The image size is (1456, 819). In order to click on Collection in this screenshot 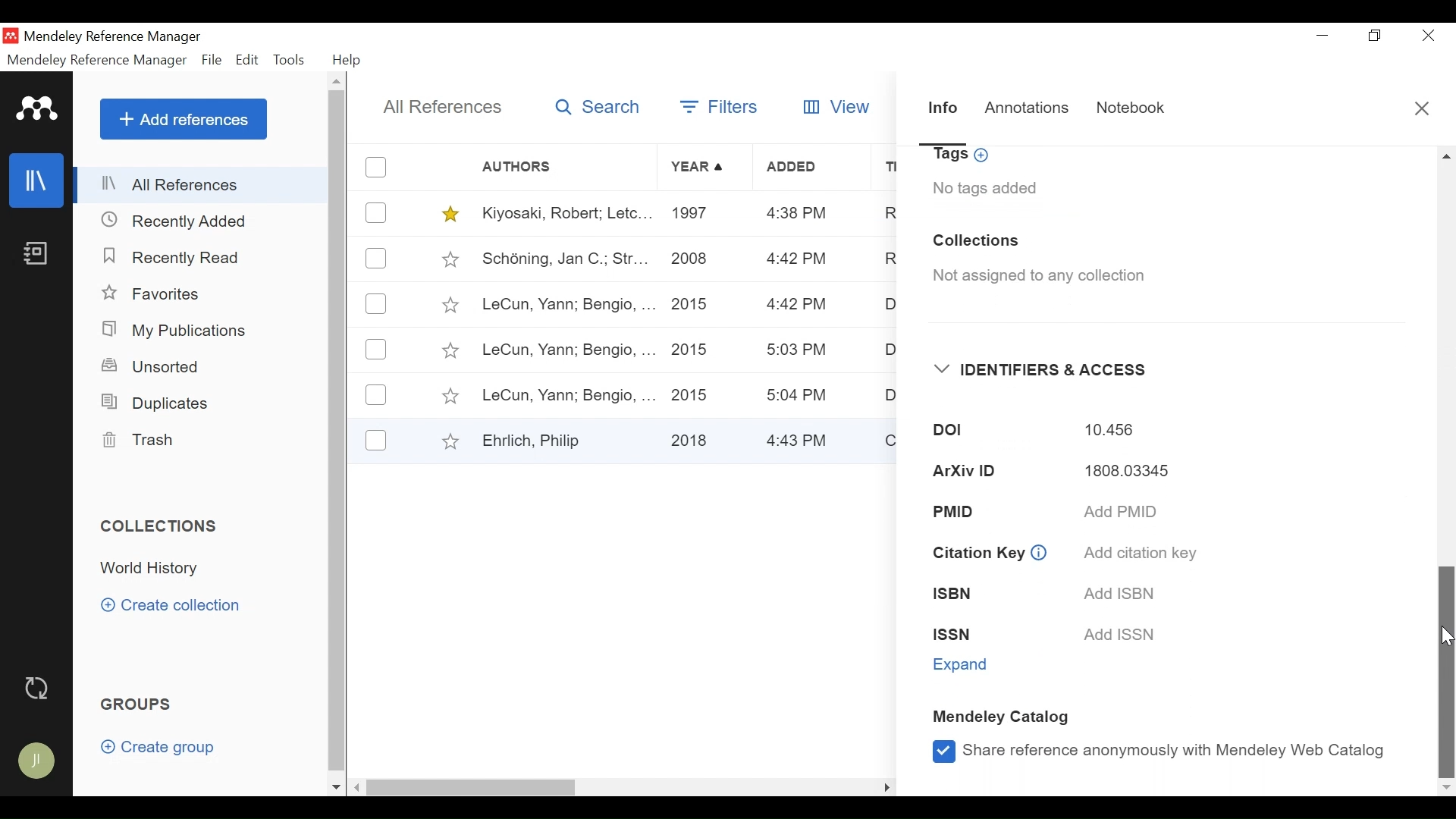, I will do `click(157, 568)`.